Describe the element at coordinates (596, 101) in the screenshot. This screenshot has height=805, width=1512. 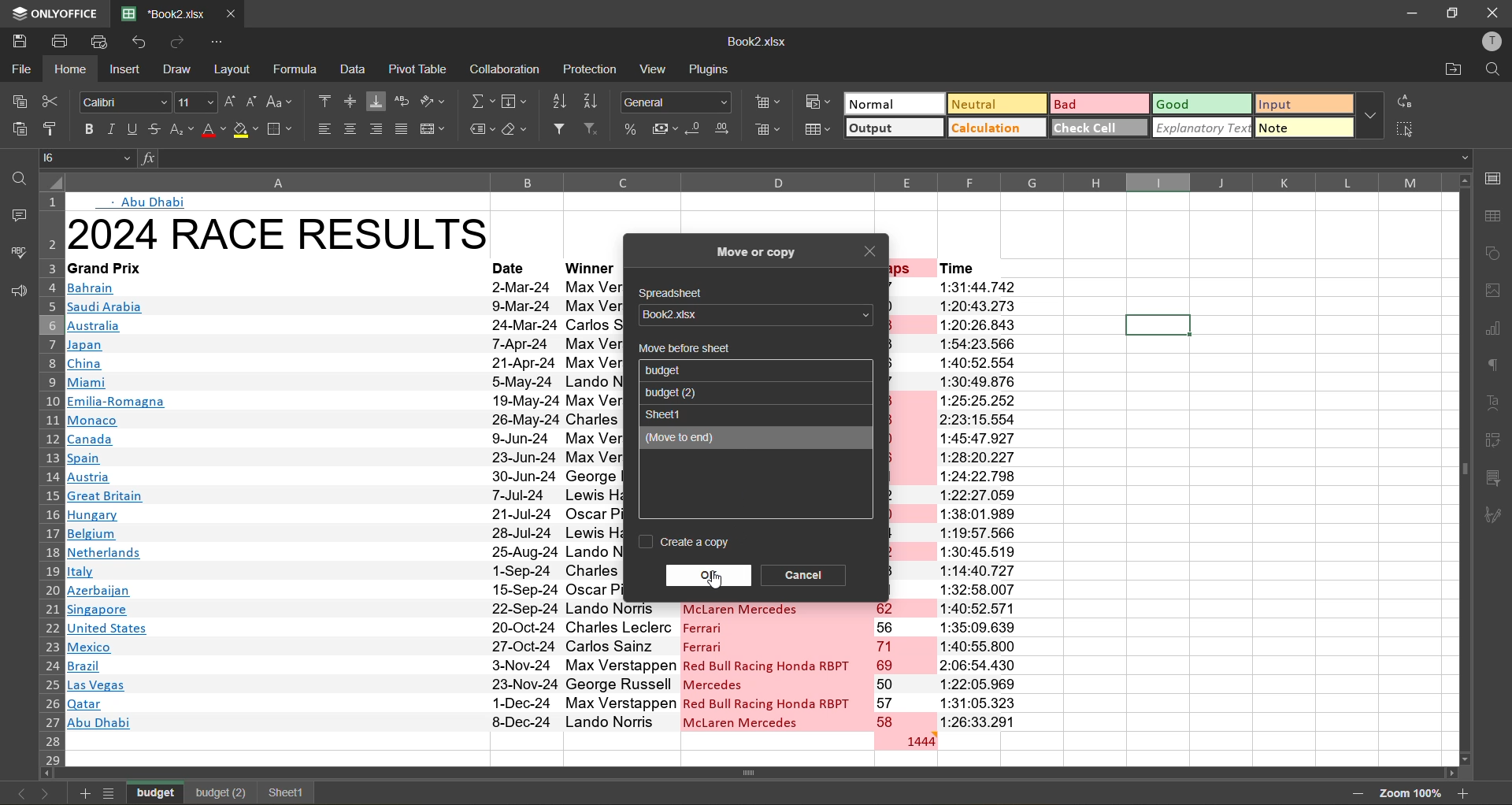
I see `sort descending` at that location.